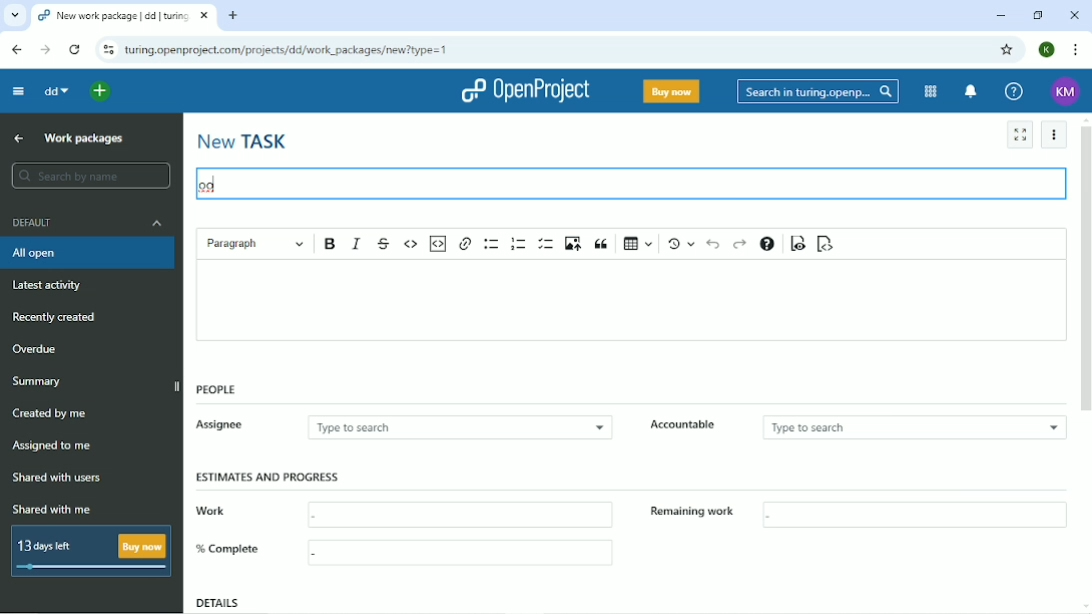  I want to click on 13 days left Buy now, so click(89, 551).